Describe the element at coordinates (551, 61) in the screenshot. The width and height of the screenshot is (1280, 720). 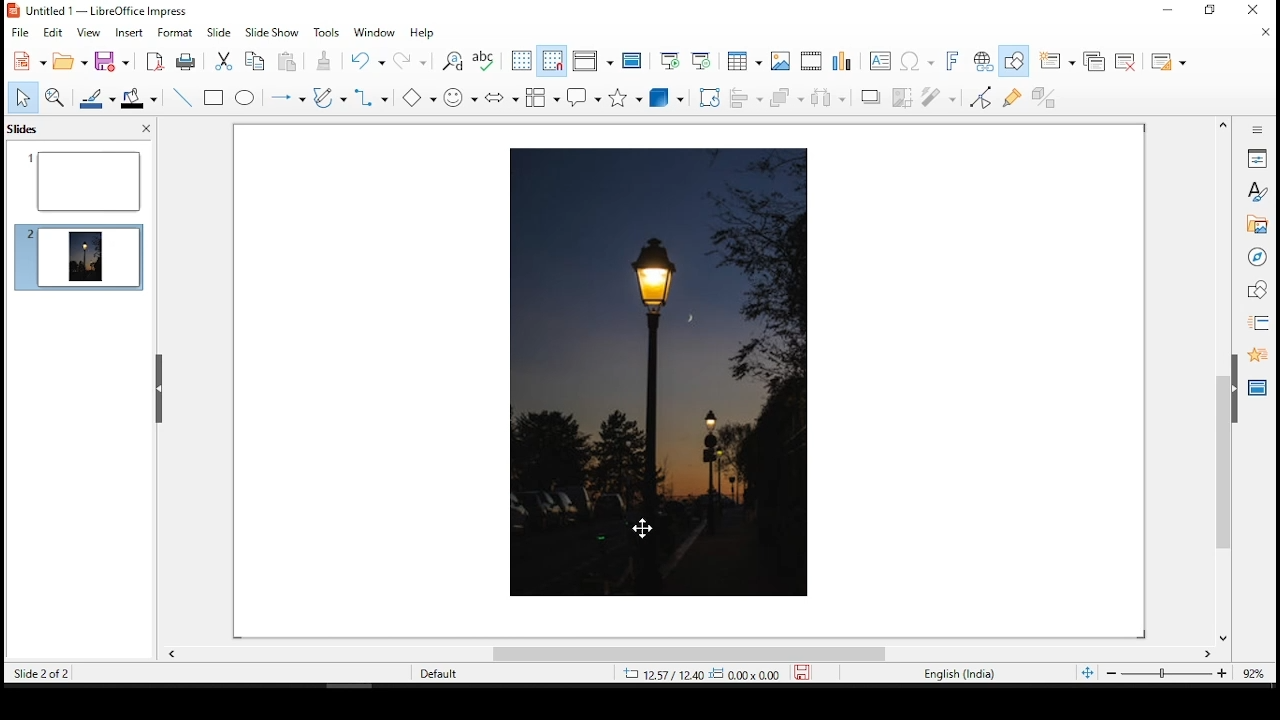
I see `snap to grids` at that location.